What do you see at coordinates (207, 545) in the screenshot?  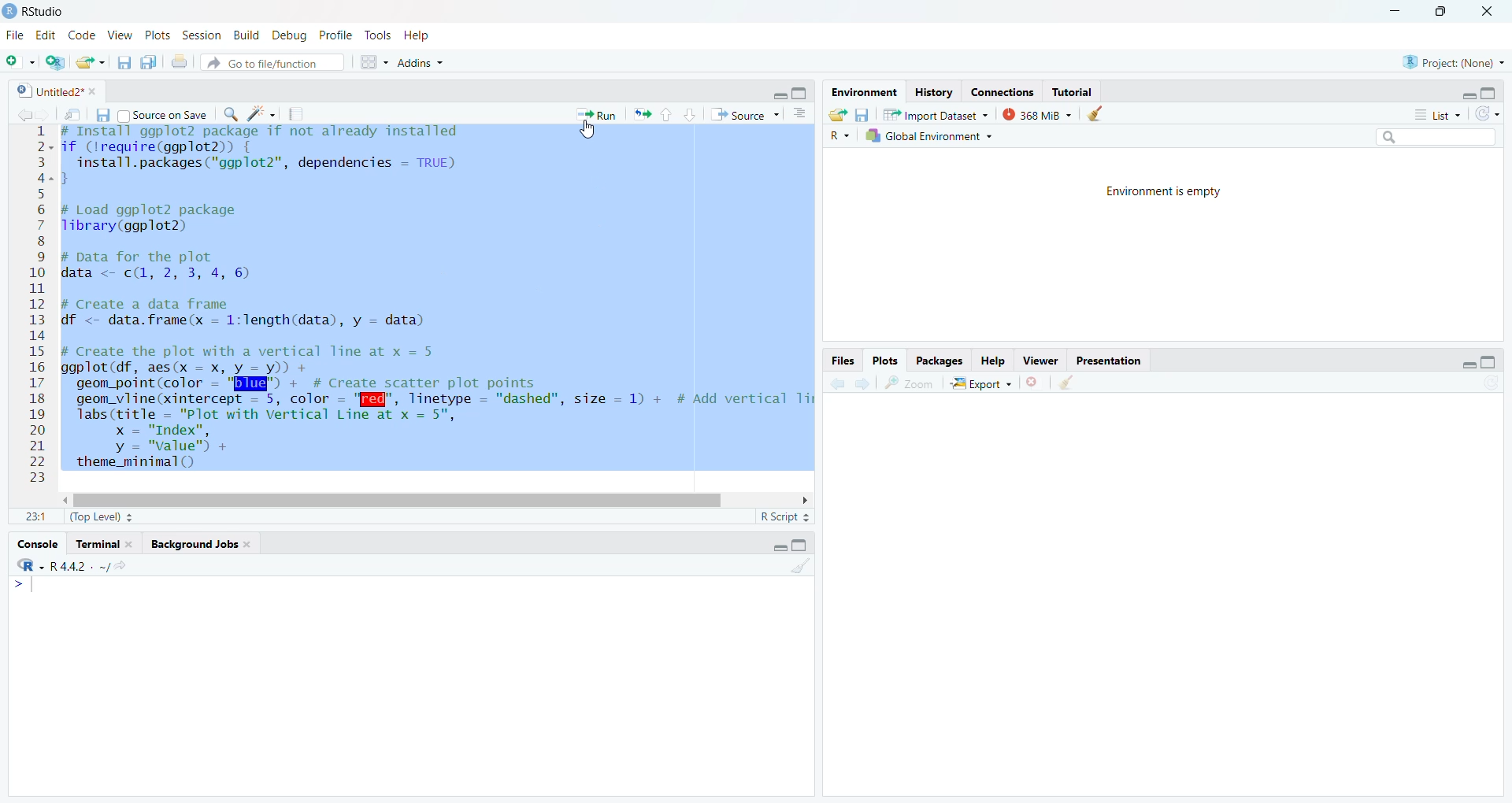 I see `Background Jobs.` at bounding box center [207, 545].